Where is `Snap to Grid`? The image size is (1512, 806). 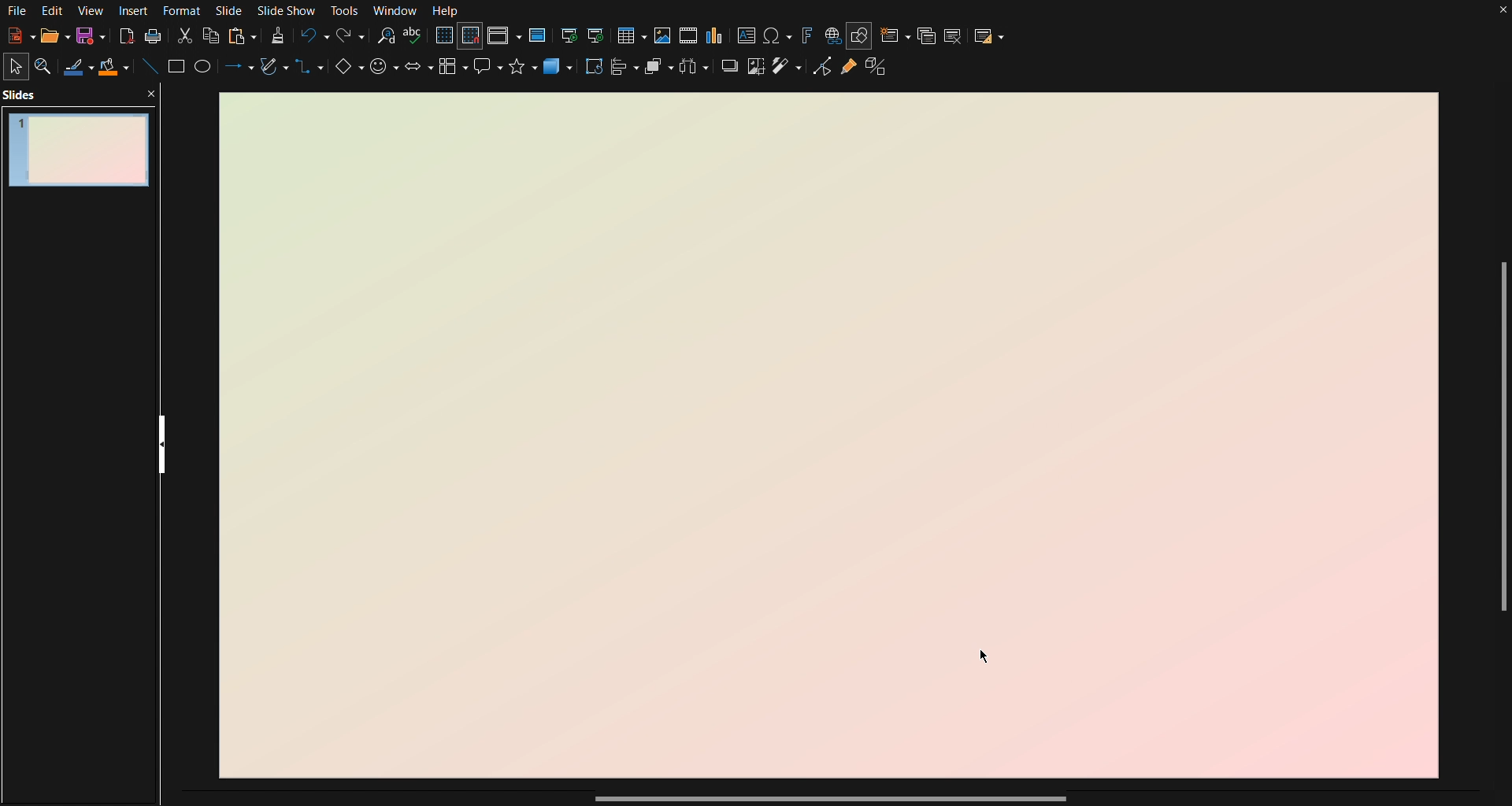 Snap to Grid is located at coordinates (471, 37).